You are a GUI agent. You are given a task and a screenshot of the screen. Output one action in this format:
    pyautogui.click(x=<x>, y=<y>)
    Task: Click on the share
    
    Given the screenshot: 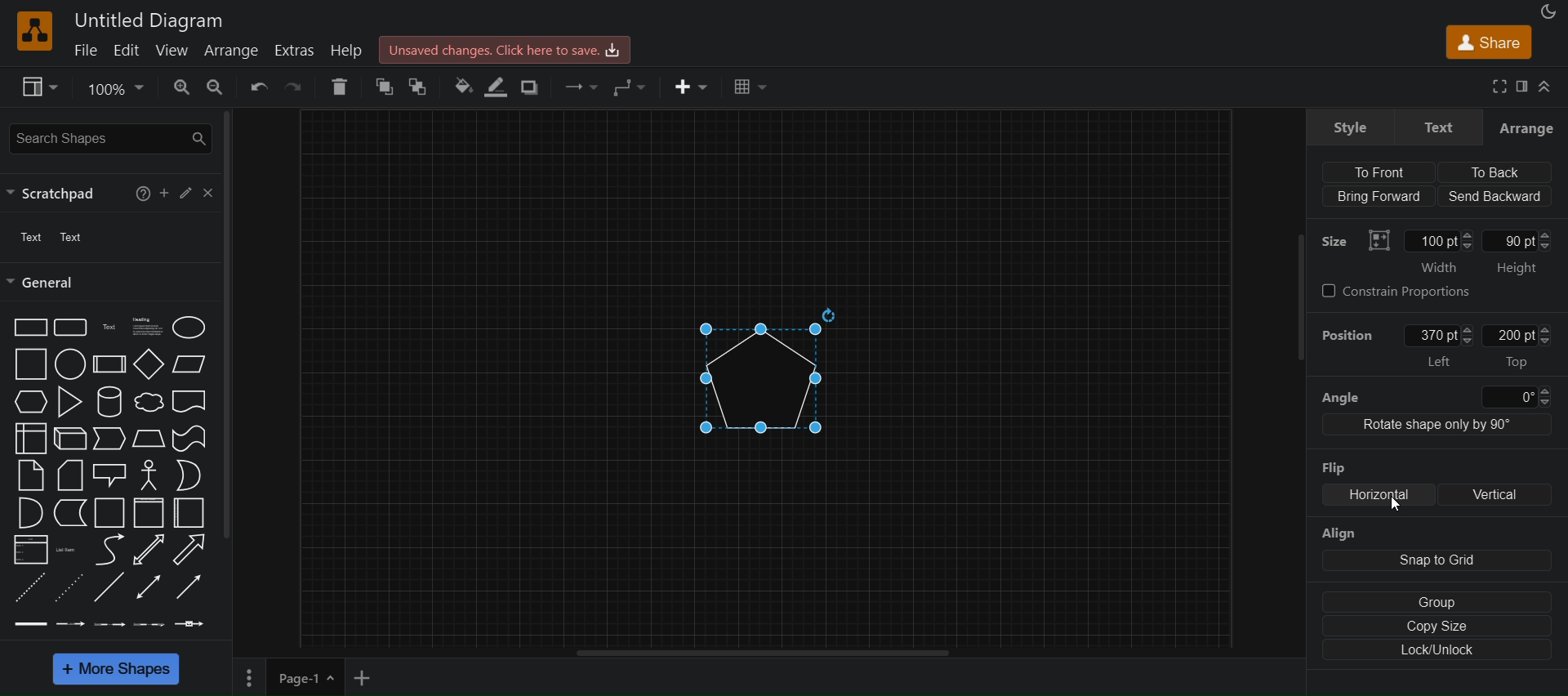 What is the action you would take?
    pyautogui.click(x=1489, y=42)
    